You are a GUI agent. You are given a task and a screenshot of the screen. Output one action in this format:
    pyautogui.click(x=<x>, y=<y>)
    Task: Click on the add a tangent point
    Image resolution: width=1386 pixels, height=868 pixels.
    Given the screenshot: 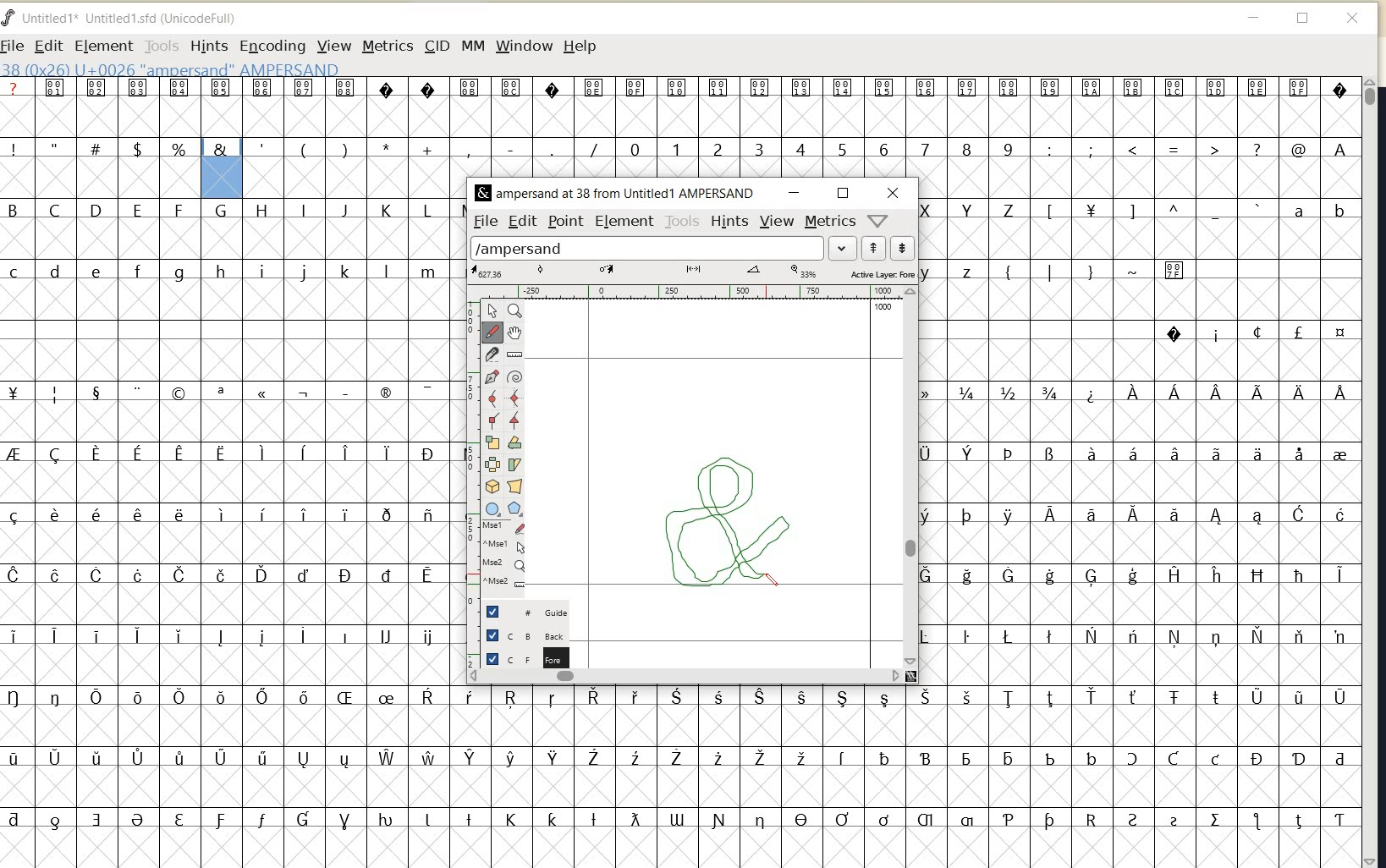 What is the action you would take?
    pyautogui.click(x=514, y=420)
    